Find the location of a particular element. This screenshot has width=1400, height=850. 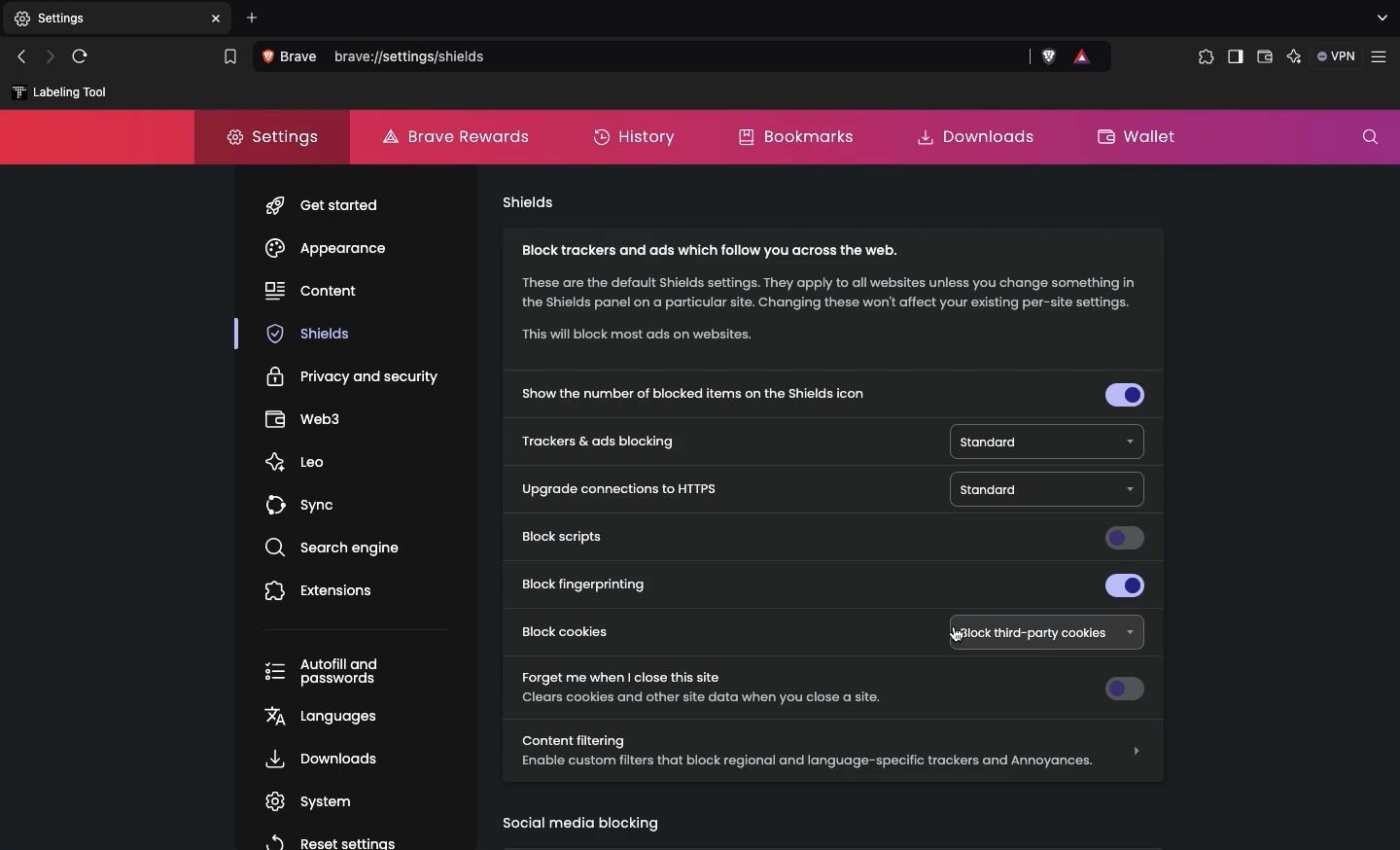

shields is located at coordinates (312, 336).